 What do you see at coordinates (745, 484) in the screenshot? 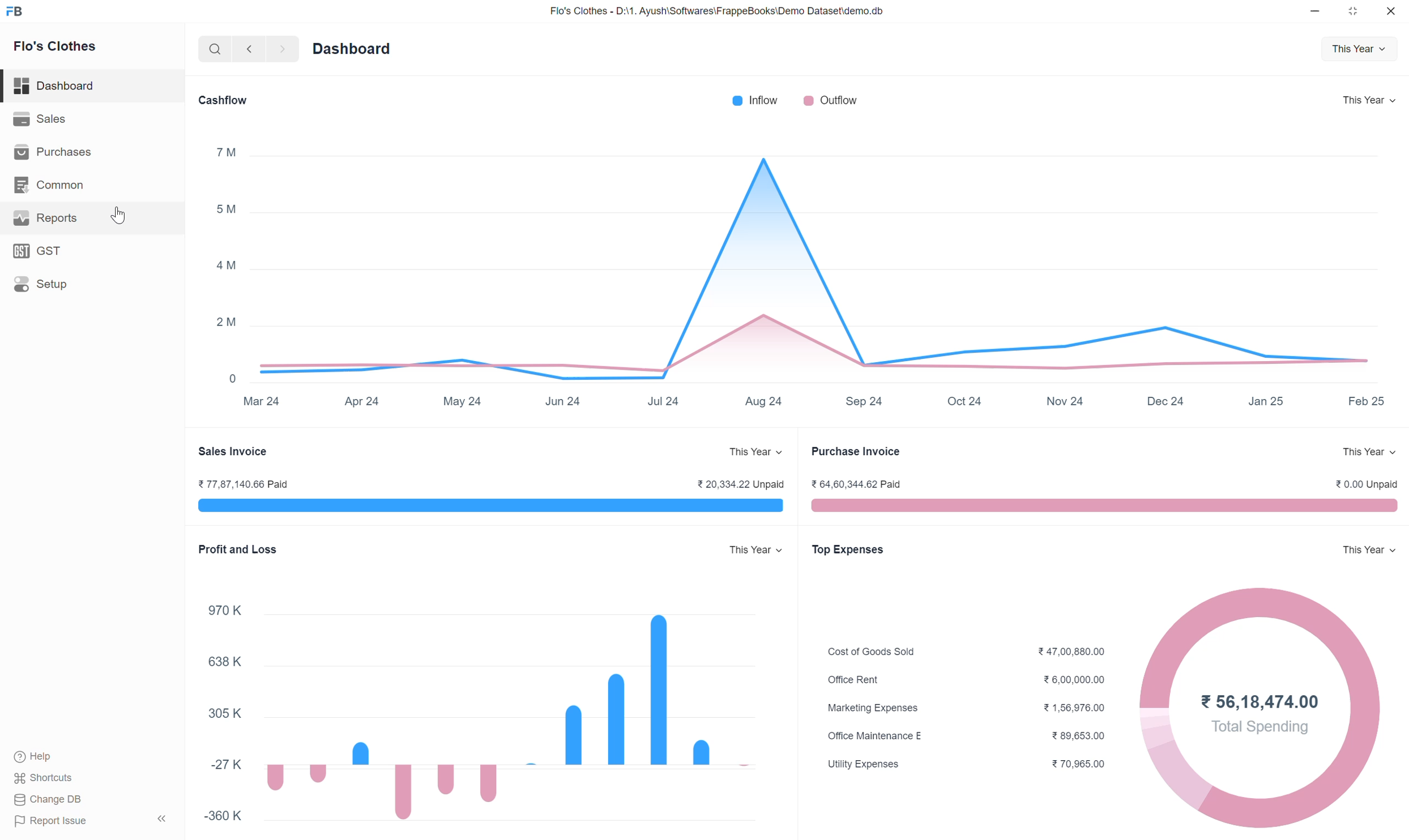
I see `20,334.22 Unpaid` at bounding box center [745, 484].